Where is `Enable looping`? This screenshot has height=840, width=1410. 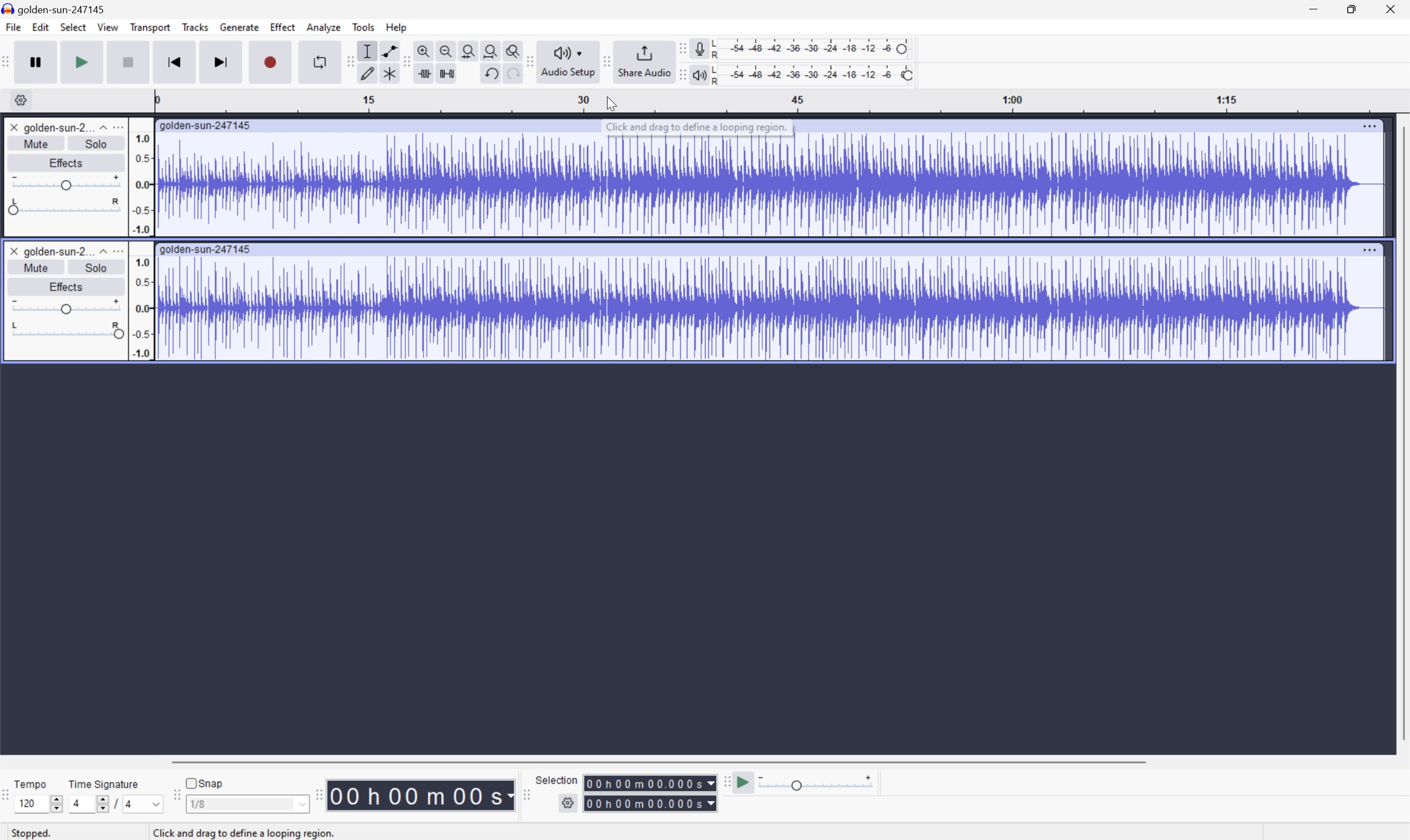
Enable looping is located at coordinates (318, 60).